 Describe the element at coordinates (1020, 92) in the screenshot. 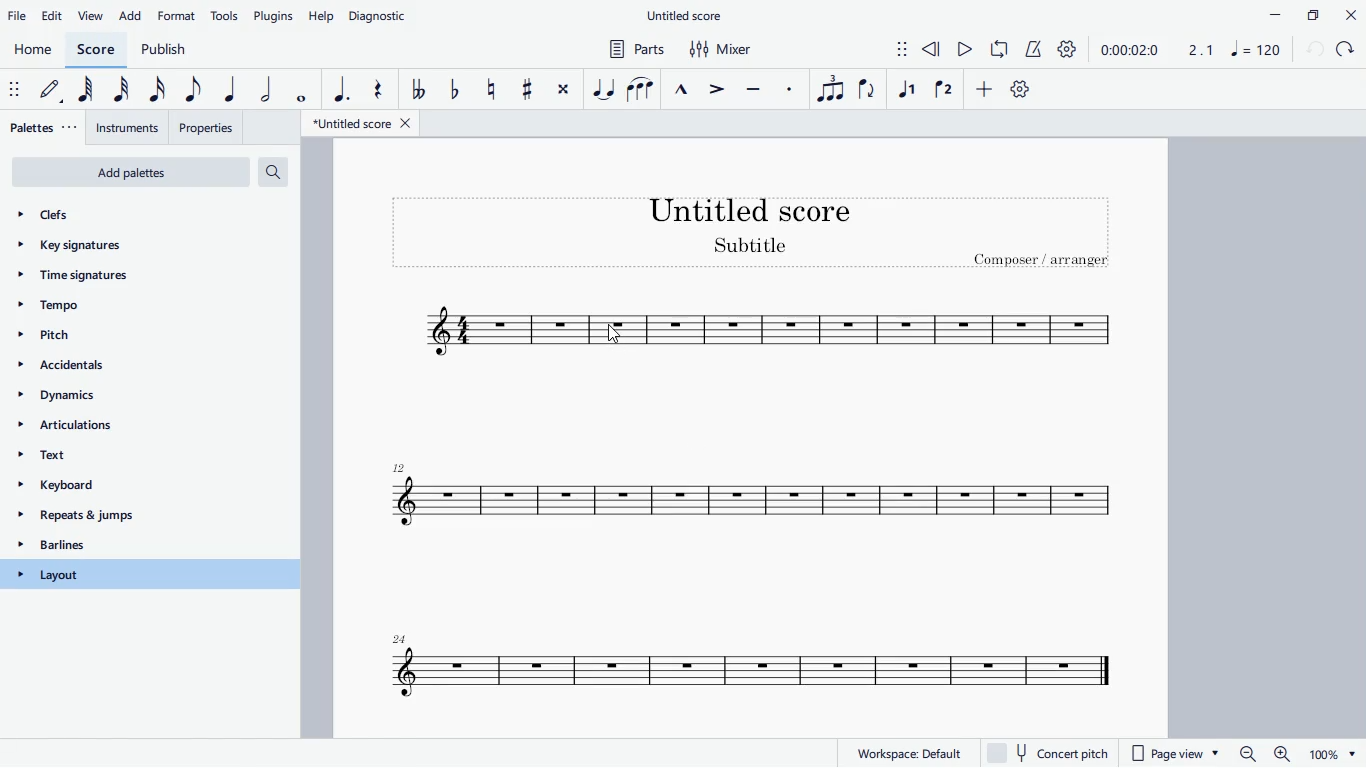

I see `default` at that location.